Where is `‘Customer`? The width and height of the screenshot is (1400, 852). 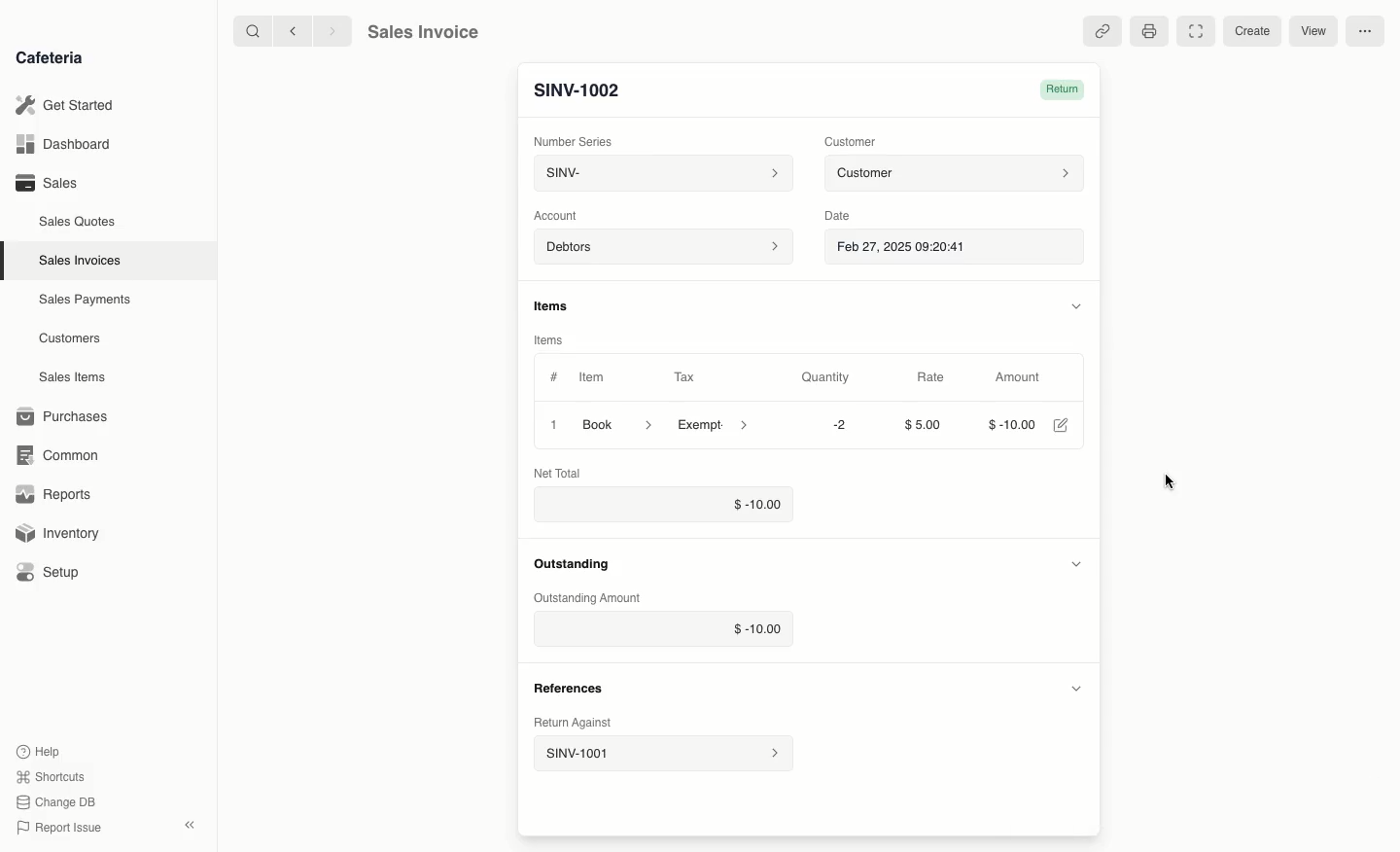 ‘Customer is located at coordinates (850, 142).